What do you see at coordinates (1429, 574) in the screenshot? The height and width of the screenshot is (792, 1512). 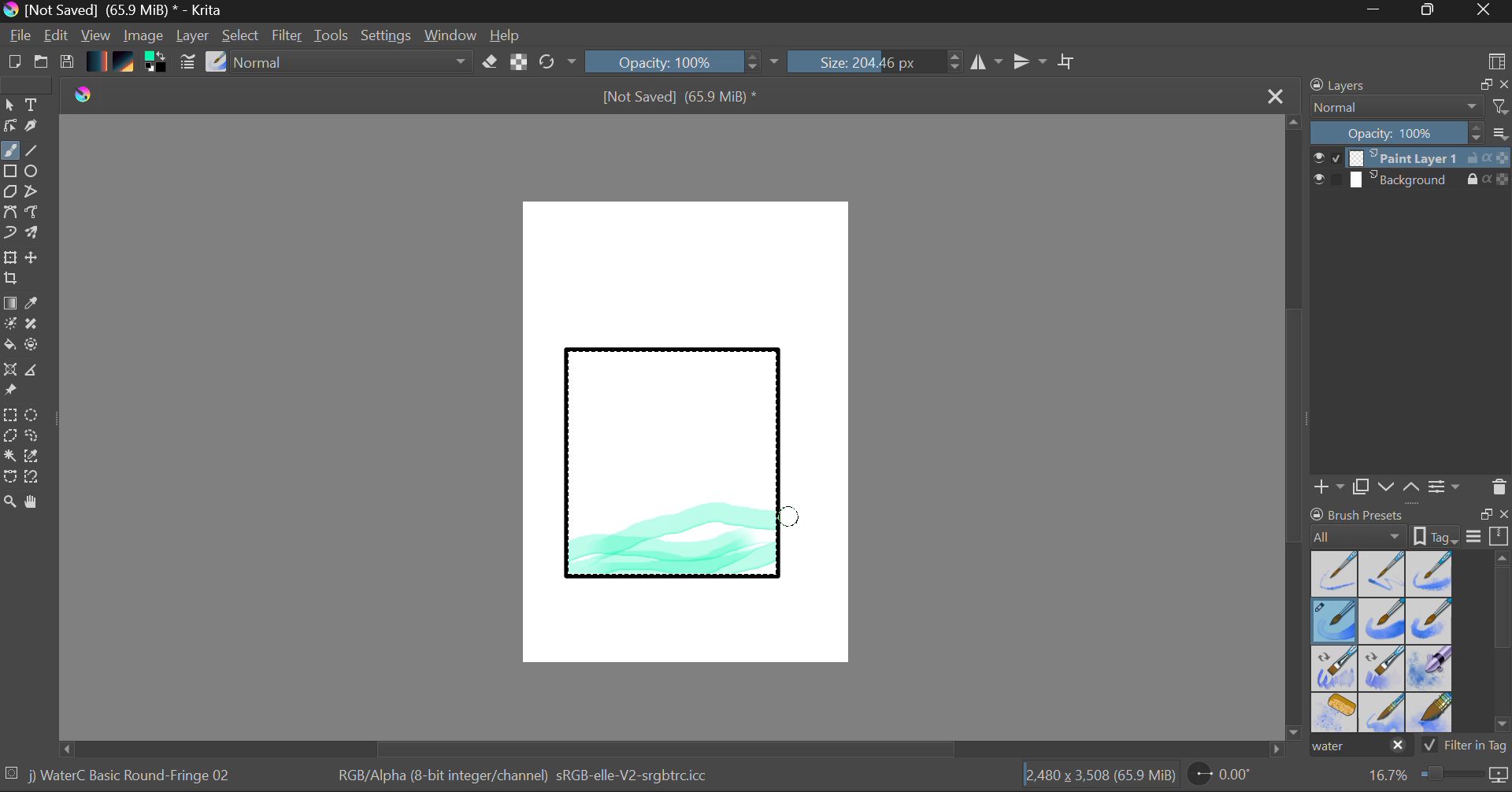 I see `Water C - Wet Pattern` at bounding box center [1429, 574].